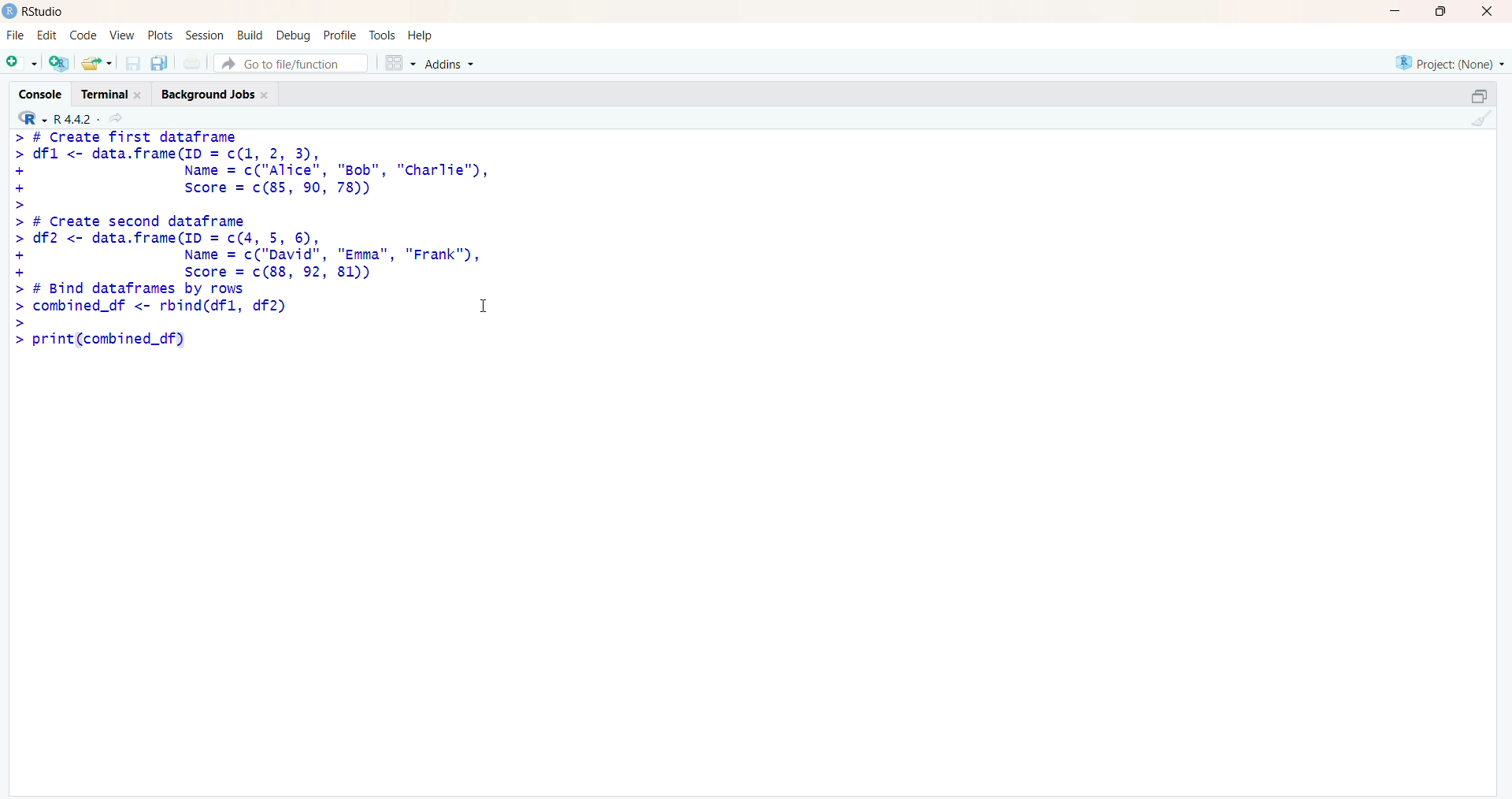 Image resolution: width=1512 pixels, height=799 pixels. What do you see at coordinates (291, 64) in the screenshot?
I see ` Go to file/function` at bounding box center [291, 64].